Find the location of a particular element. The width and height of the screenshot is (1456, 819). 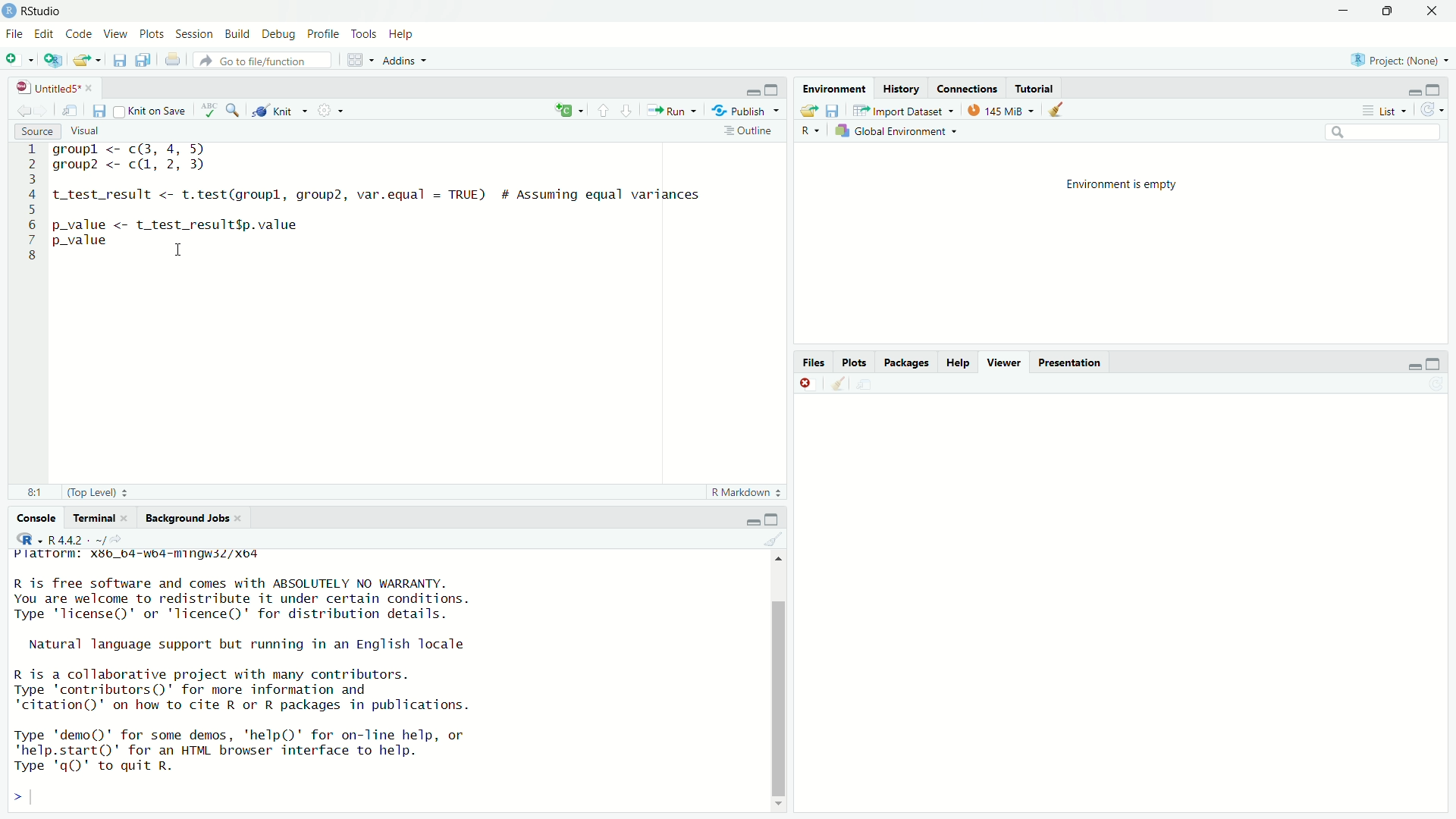

Viewer is located at coordinates (1003, 362).